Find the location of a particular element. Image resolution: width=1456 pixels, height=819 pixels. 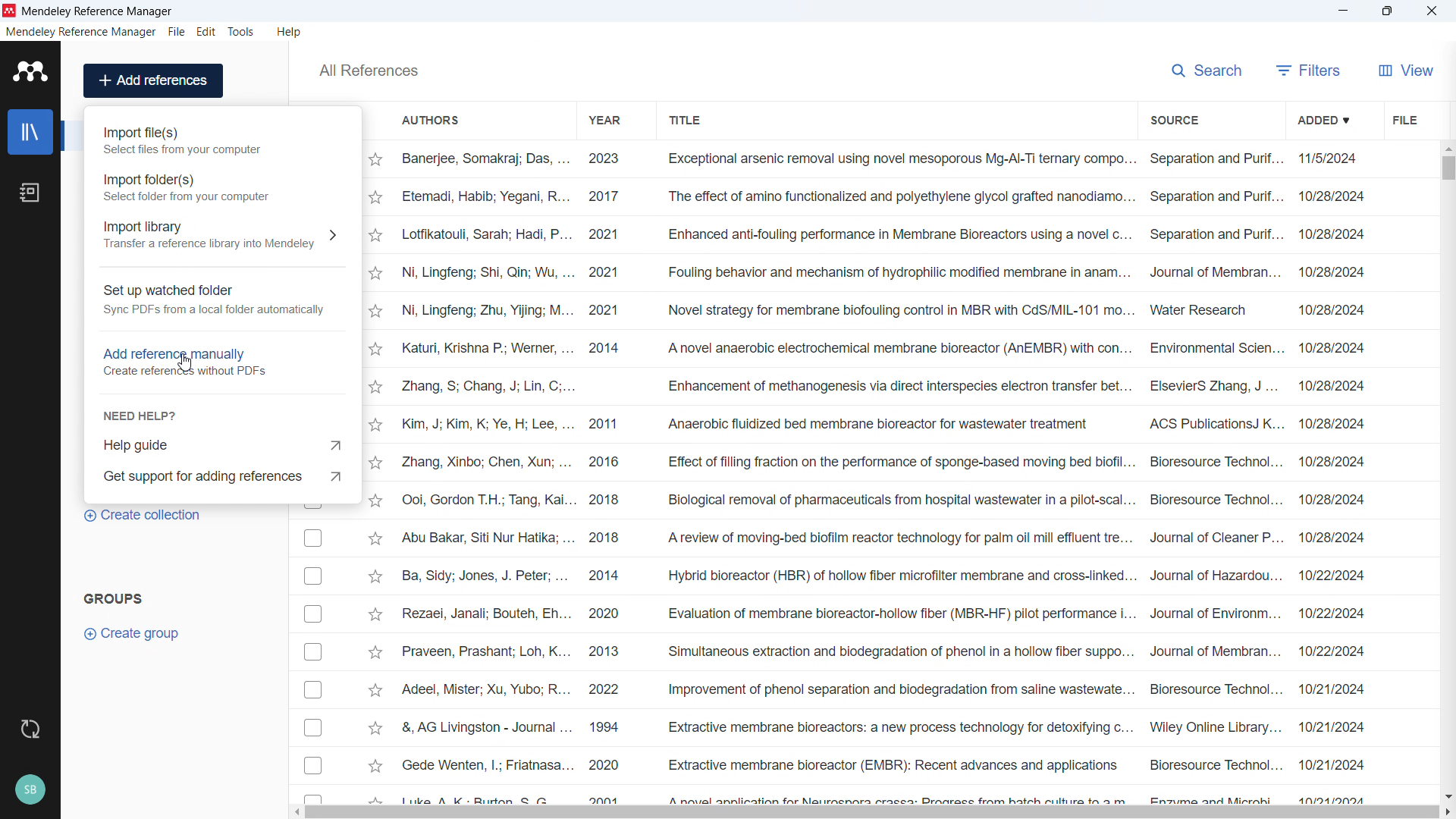

logo is located at coordinates (10, 11).